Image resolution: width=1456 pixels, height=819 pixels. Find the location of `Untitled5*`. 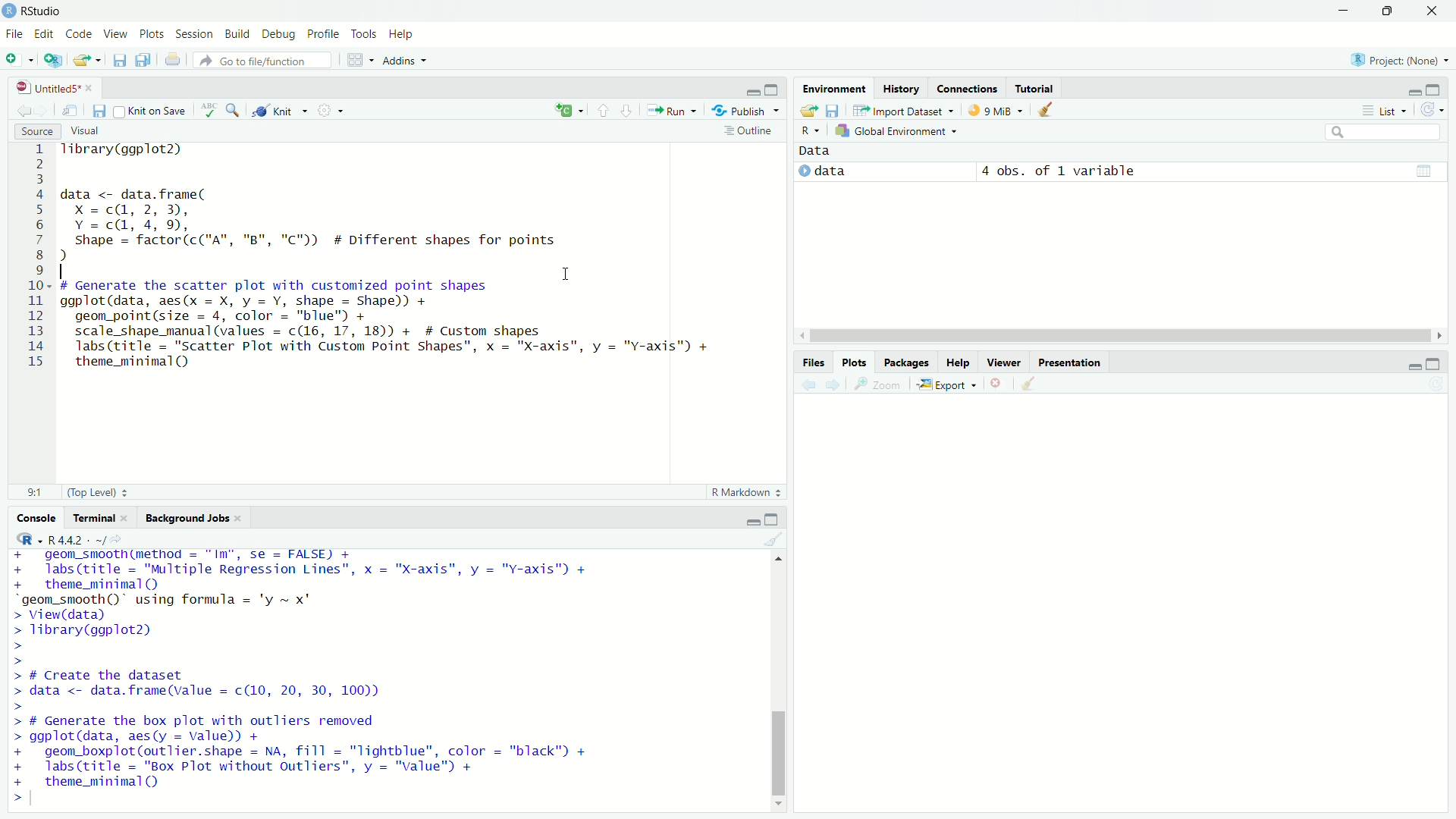

Untitled5* is located at coordinates (46, 88).